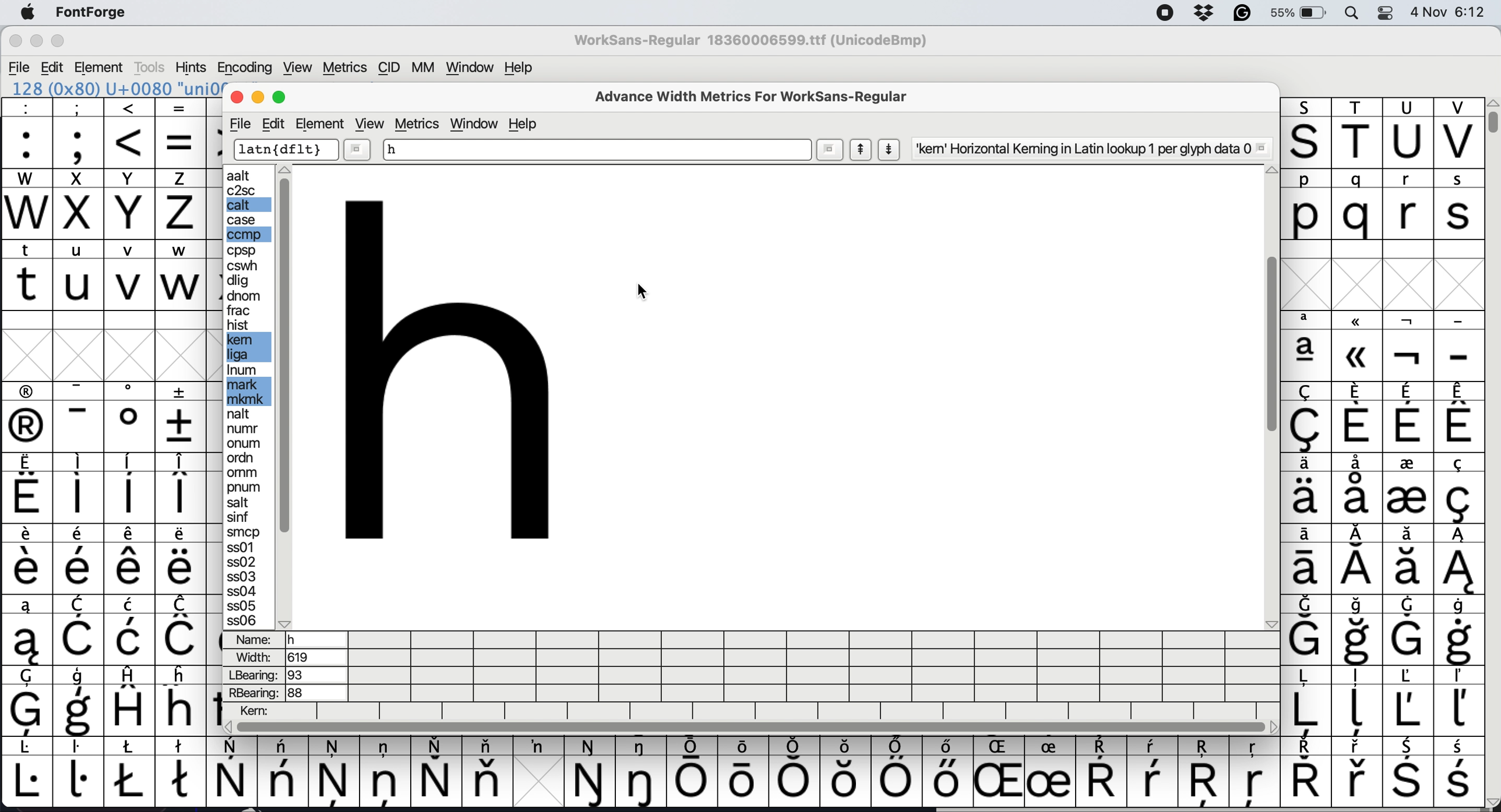 Image resolution: width=1501 pixels, height=812 pixels. Describe the element at coordinates (773, 98) in the screenshot. I see `advanced width metrics for worksans-regular` at that location.